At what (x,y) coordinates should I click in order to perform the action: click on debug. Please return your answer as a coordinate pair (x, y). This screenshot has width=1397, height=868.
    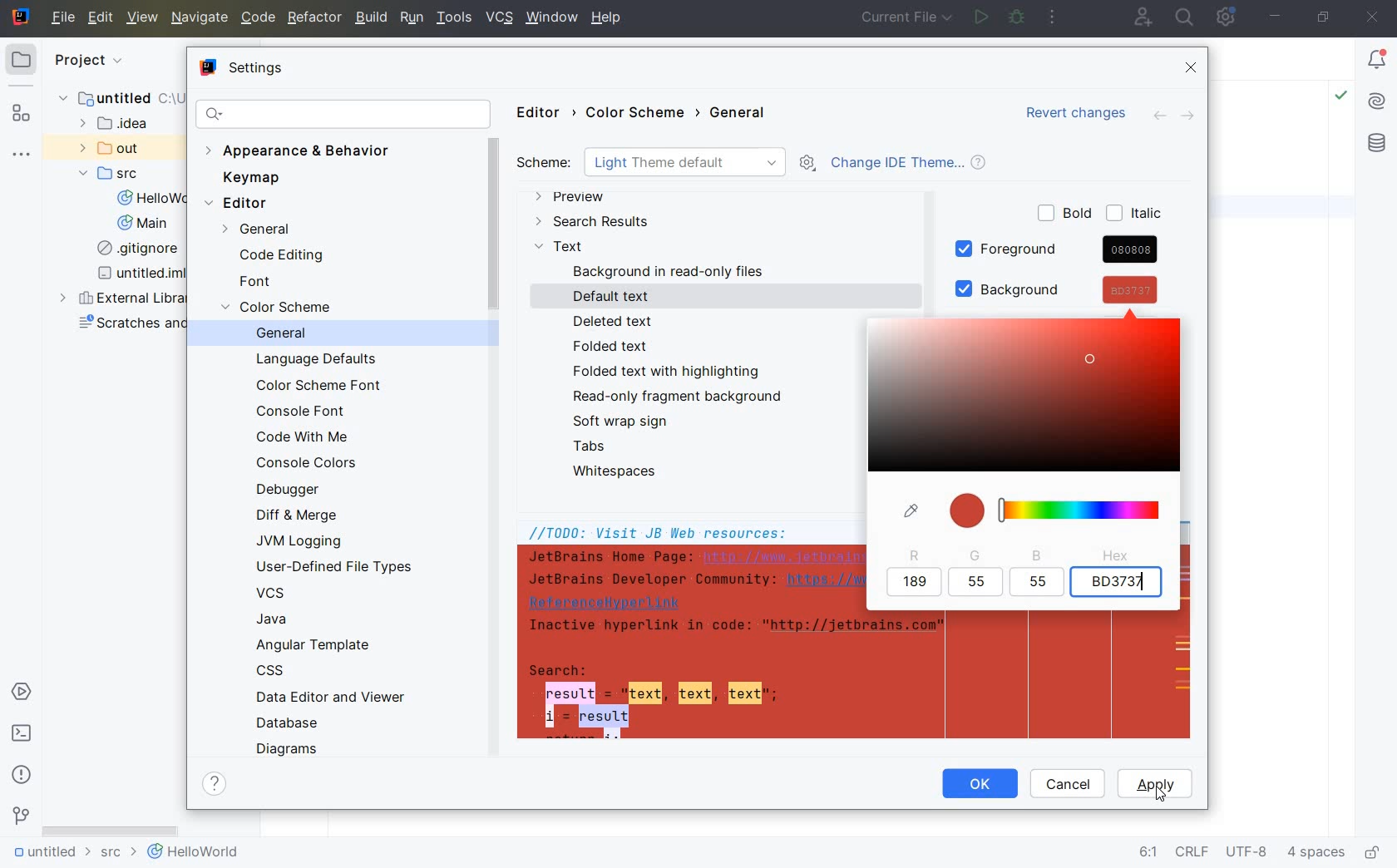
    Looking at the image, I should click on (1017, 17).